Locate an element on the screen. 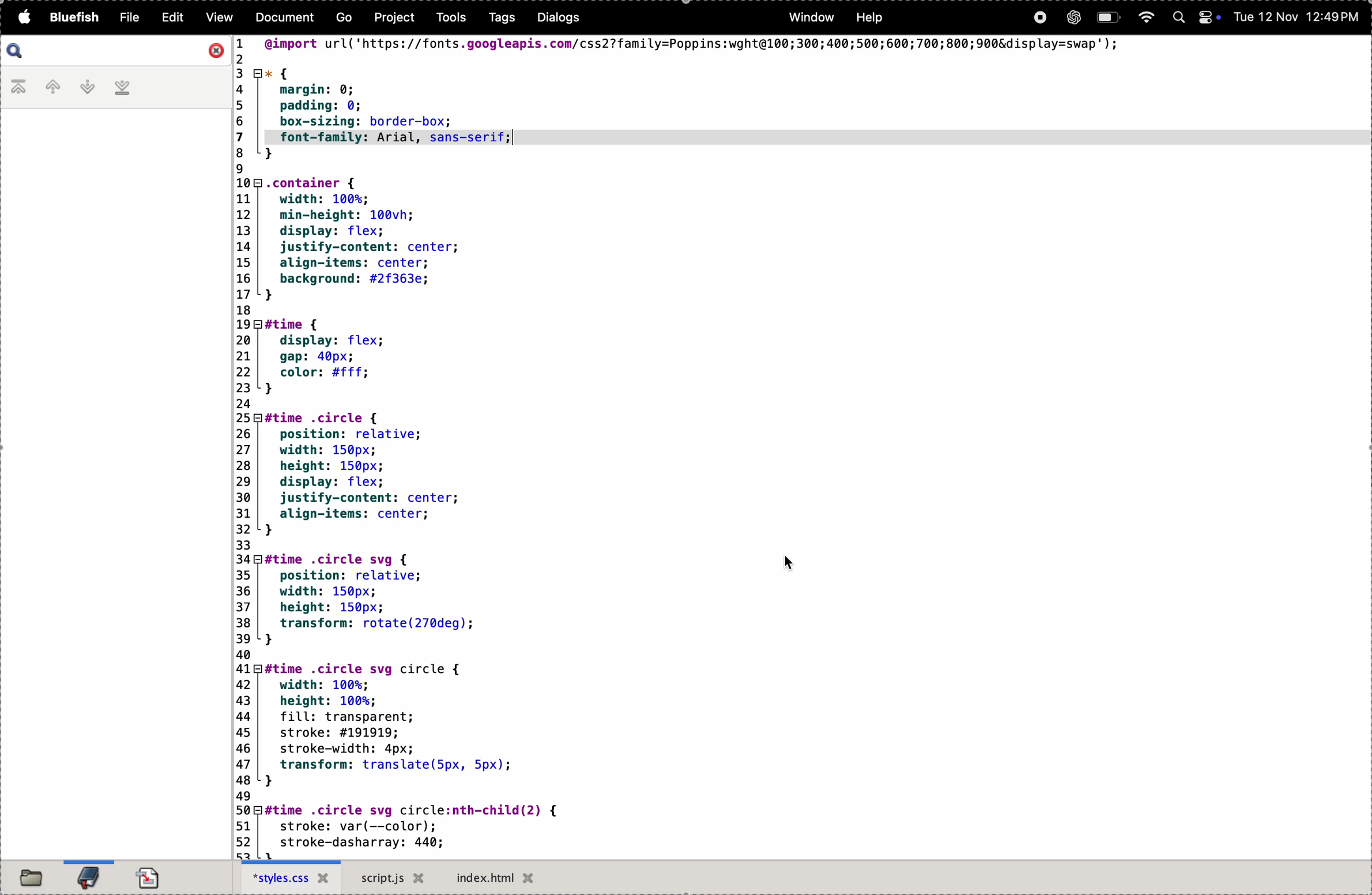  Bluefish is located at coordinates (72, 18).